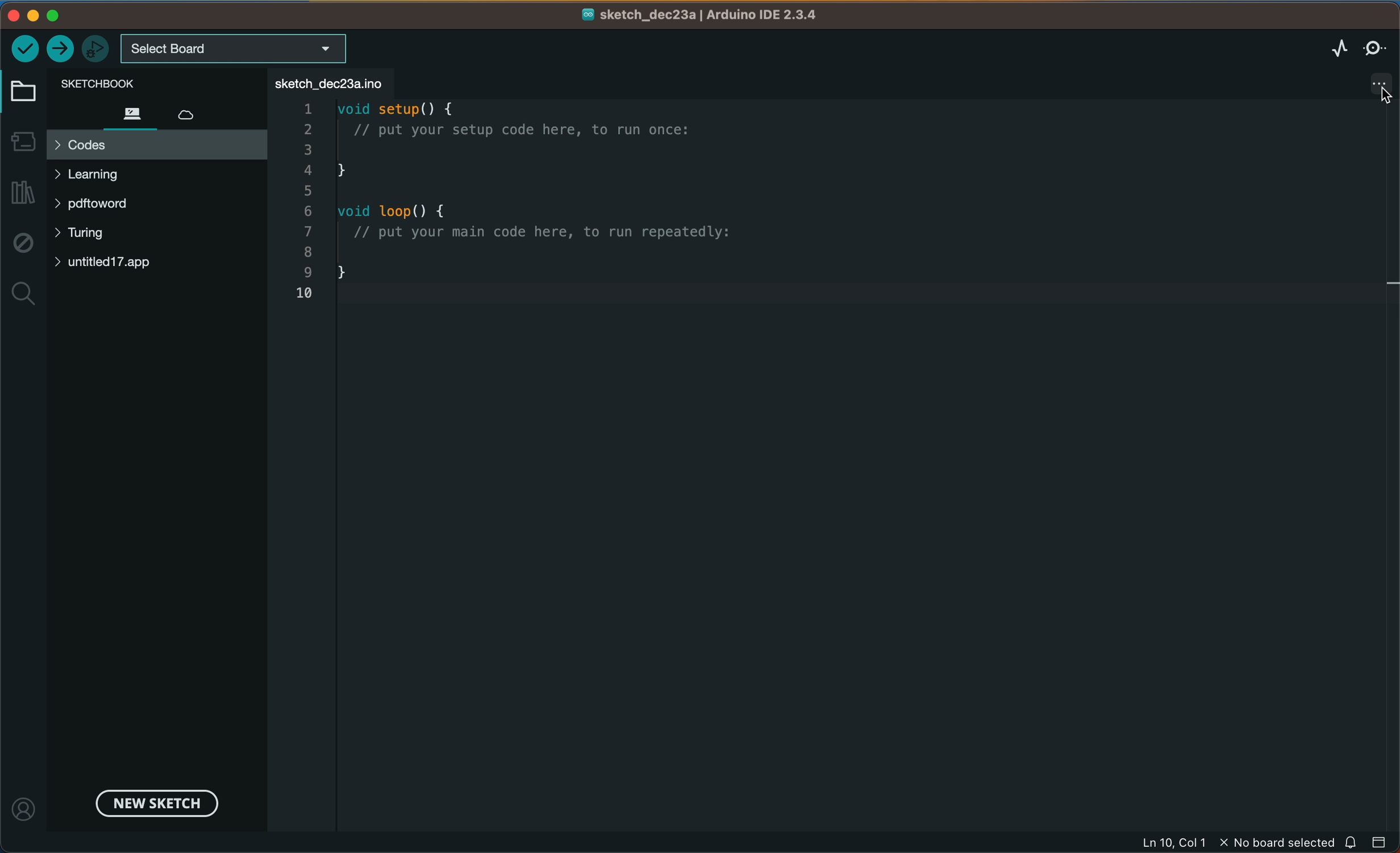  I want to click on turing, so click(88, 235).